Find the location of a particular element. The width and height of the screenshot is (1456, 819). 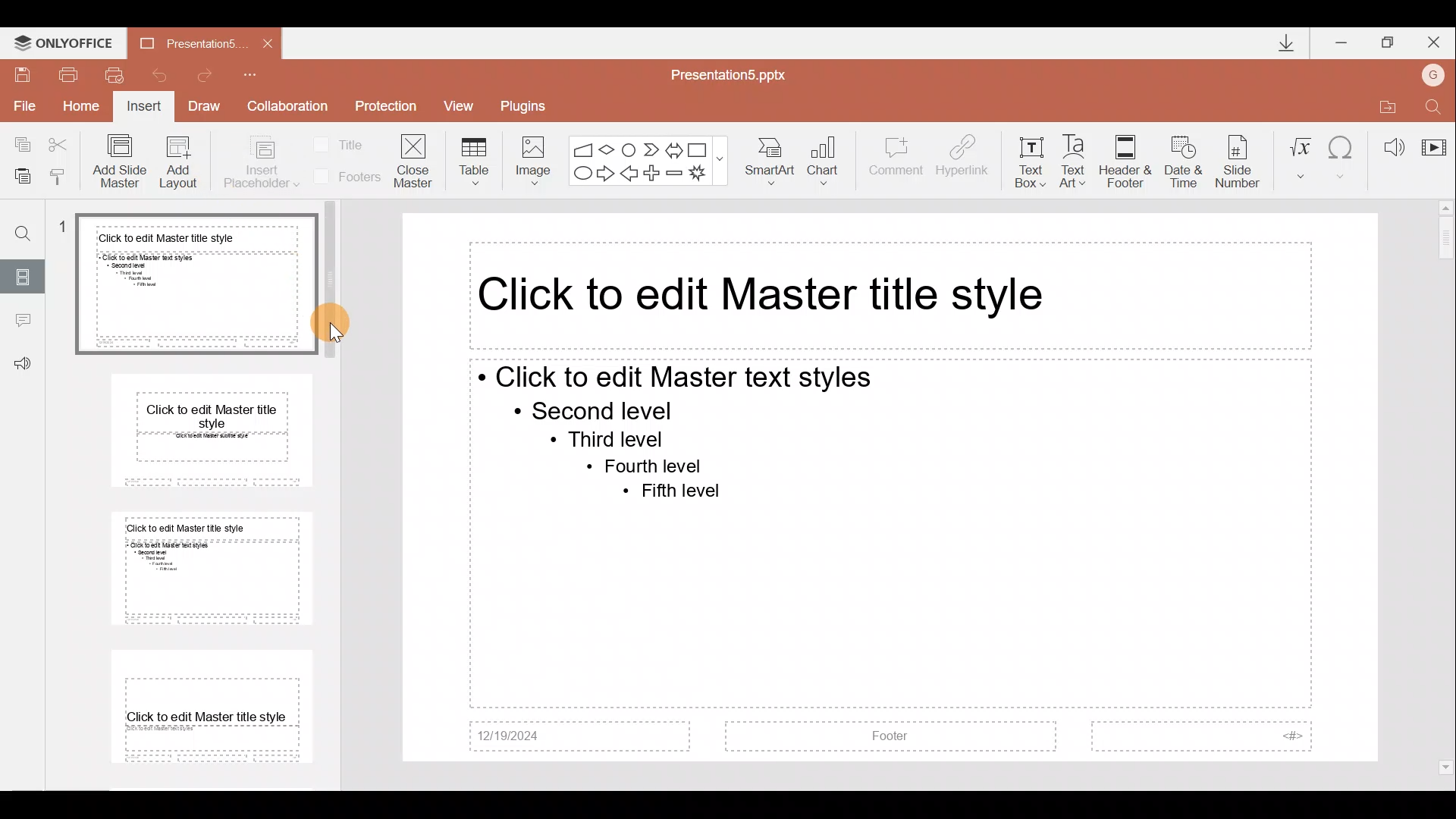

Copy style is located at coordinates (64, 176).